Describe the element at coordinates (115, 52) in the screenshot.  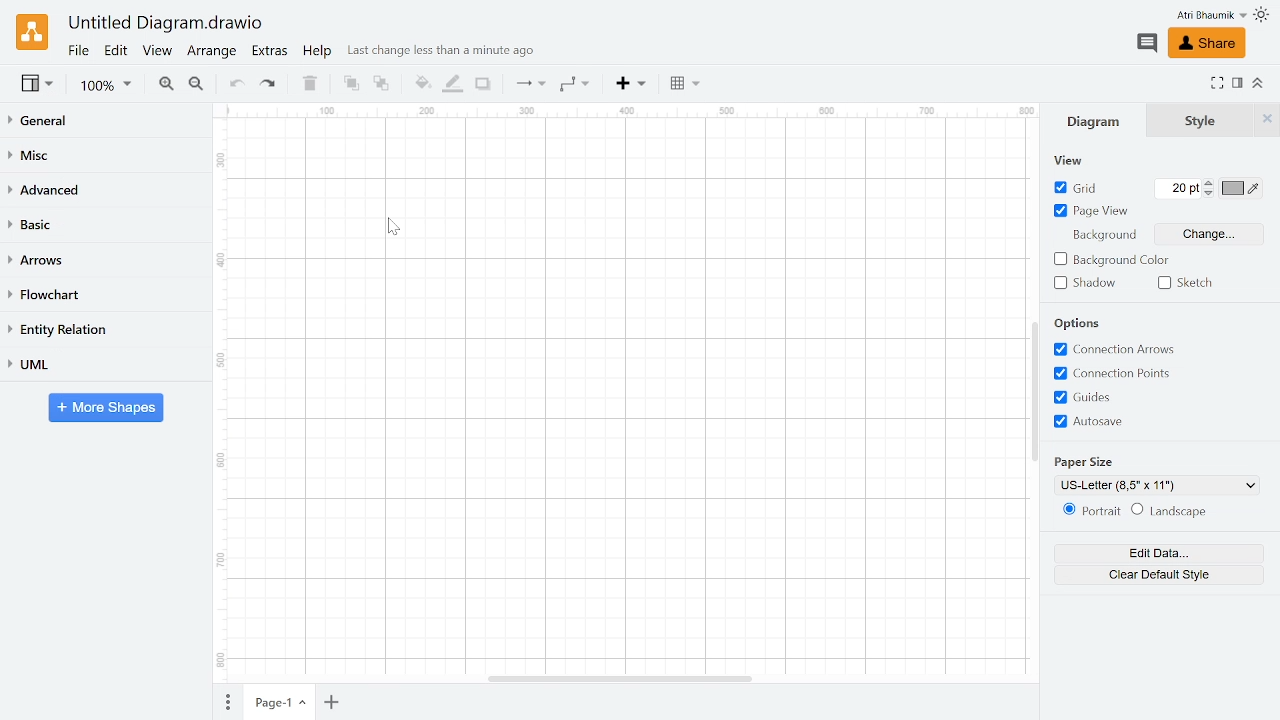
I see `Edit` at that location.